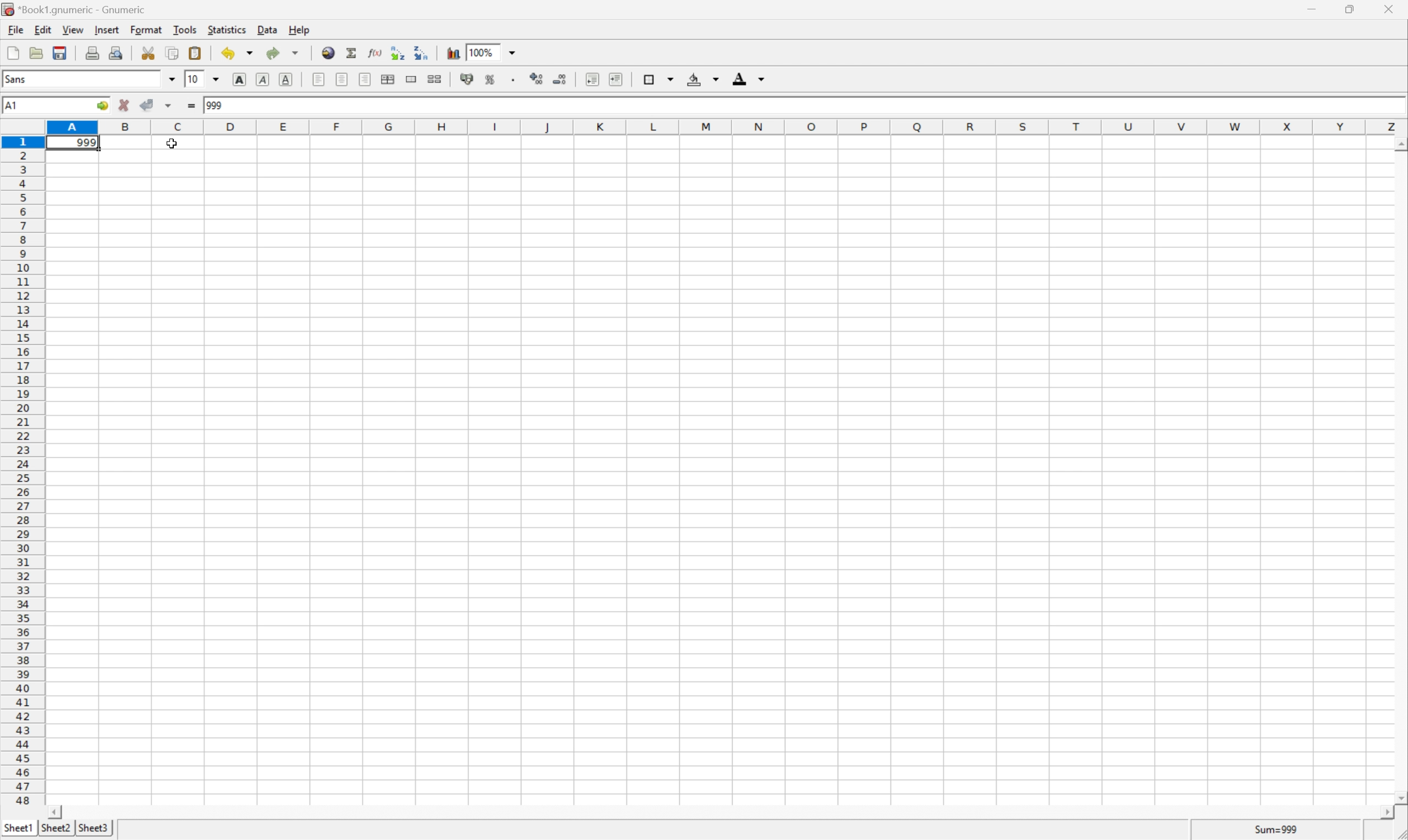 The image size is (1408, 840). What do you see at coordinates (560, 79) in the screenshot?
I see `decrease number of decimals displayed` at bounding box center [560, 79].